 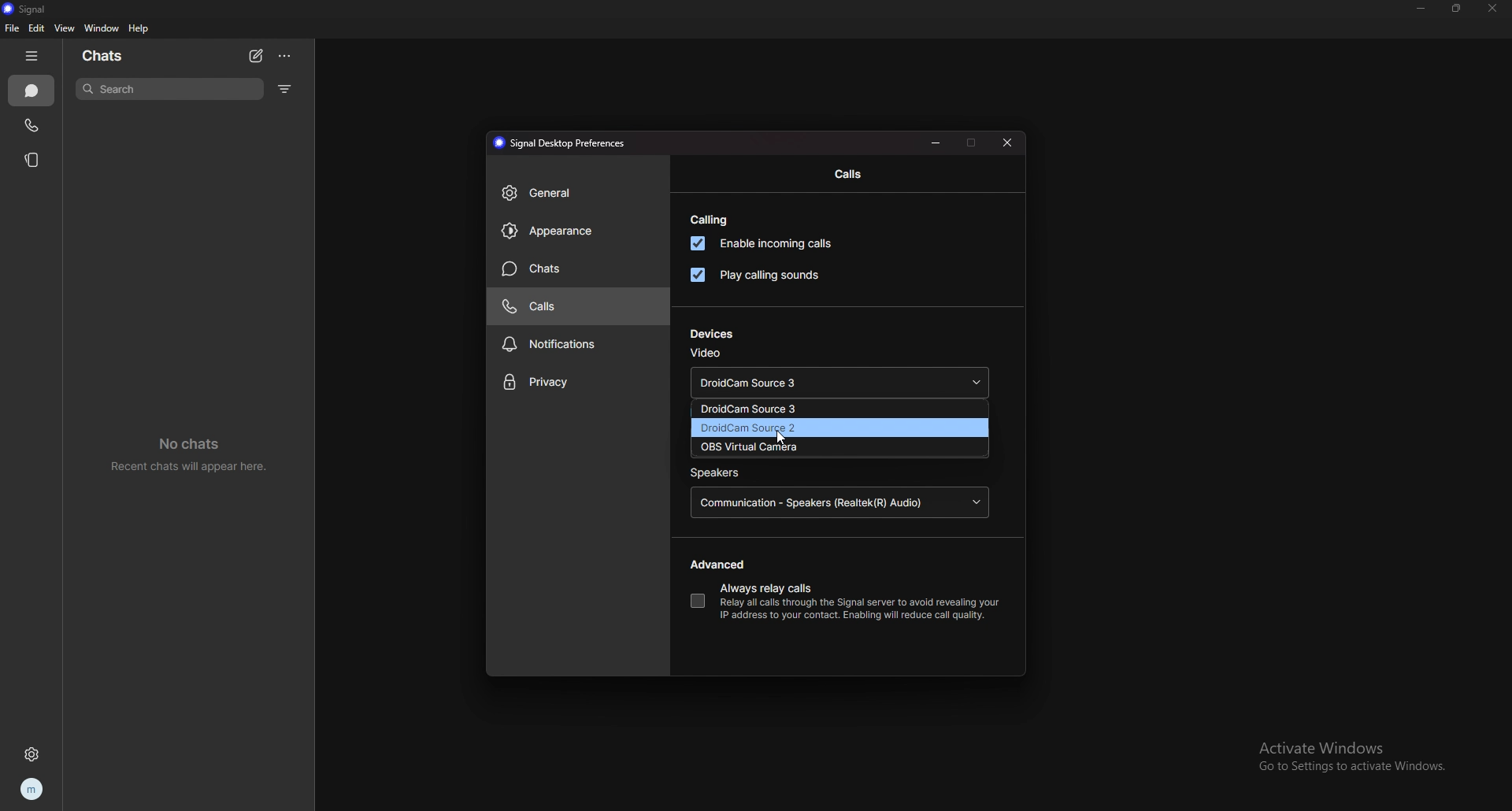 I want to click on video, so click(x=706, y=353).